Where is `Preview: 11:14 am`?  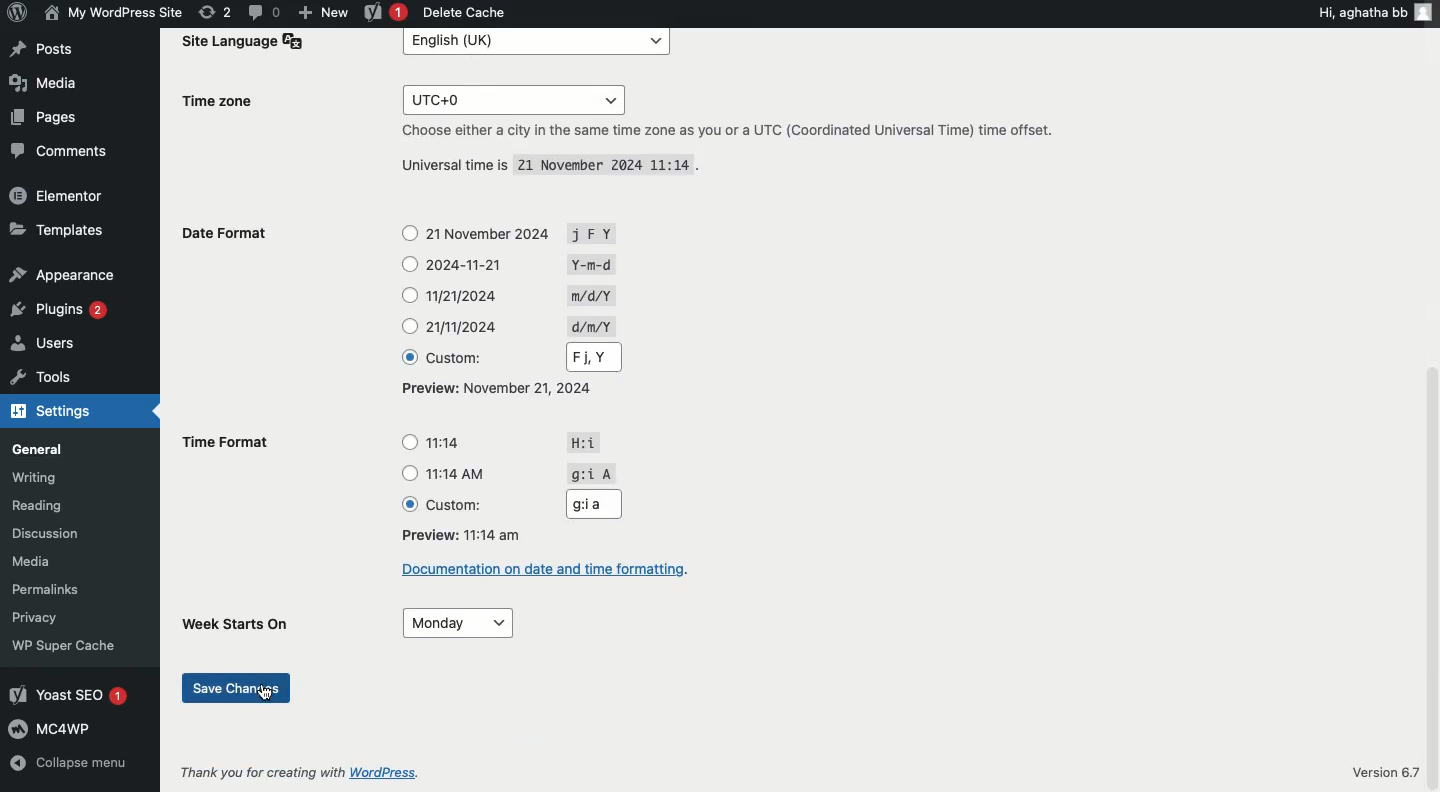 Preview: 11:14 am is located at coordinates (459, 535).